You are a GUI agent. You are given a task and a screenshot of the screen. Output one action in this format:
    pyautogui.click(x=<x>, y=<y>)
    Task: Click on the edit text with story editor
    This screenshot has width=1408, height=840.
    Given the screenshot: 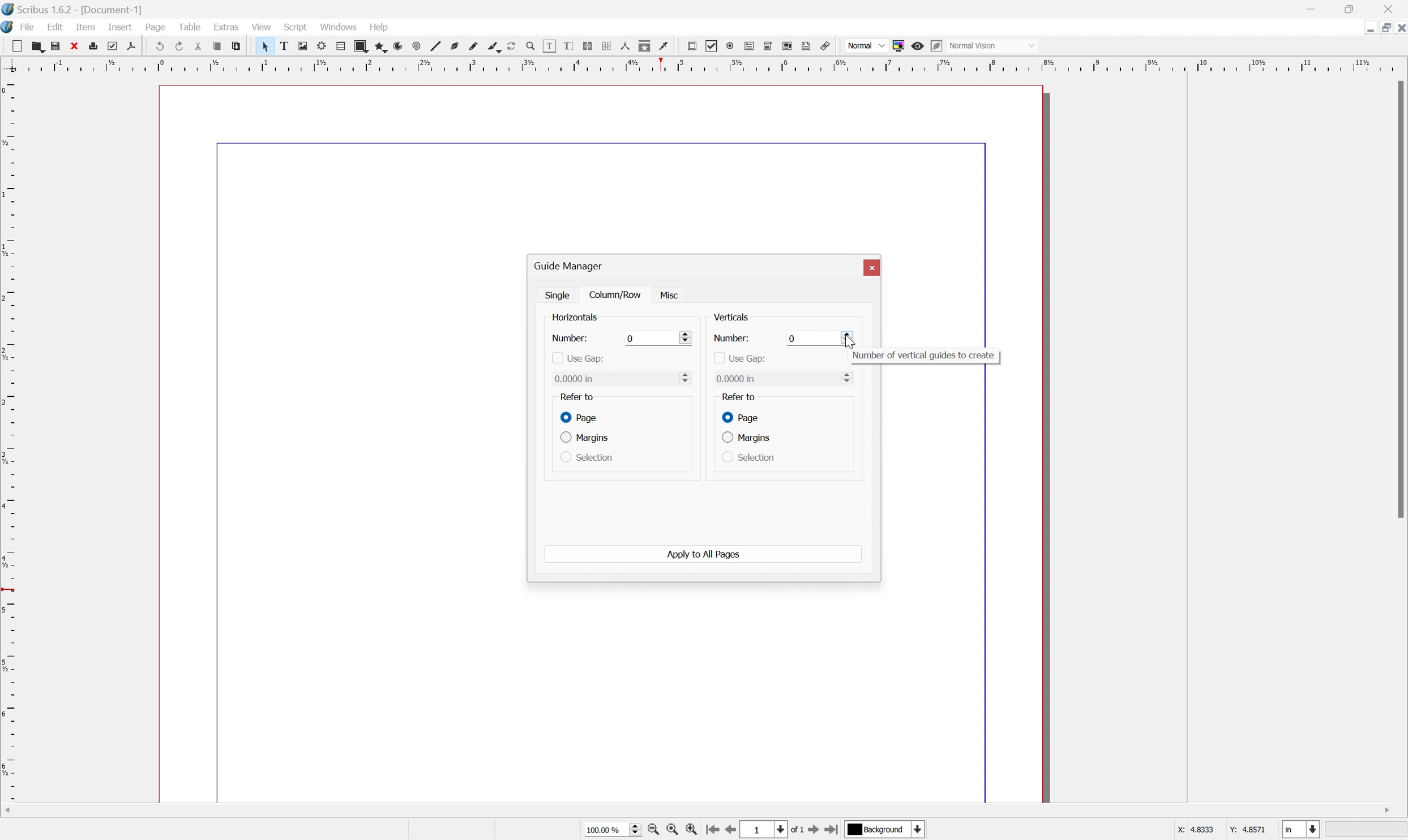 What is the action you would take?
    pyautogui.click(x=570, y=46)
    